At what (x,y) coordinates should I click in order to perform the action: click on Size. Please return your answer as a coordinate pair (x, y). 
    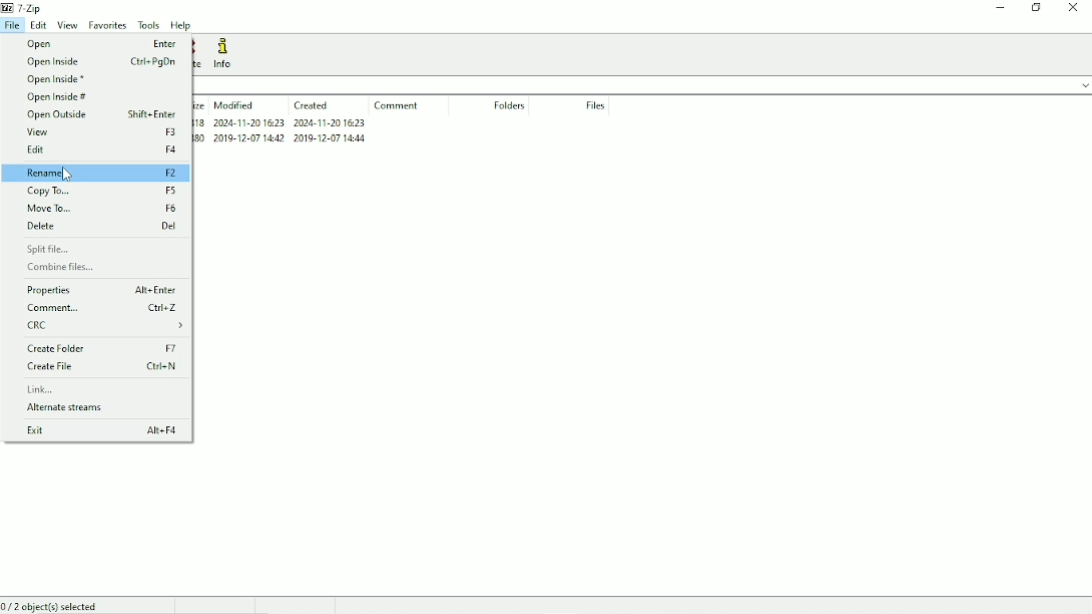
    Looking at the image, I should click on (201, 105).